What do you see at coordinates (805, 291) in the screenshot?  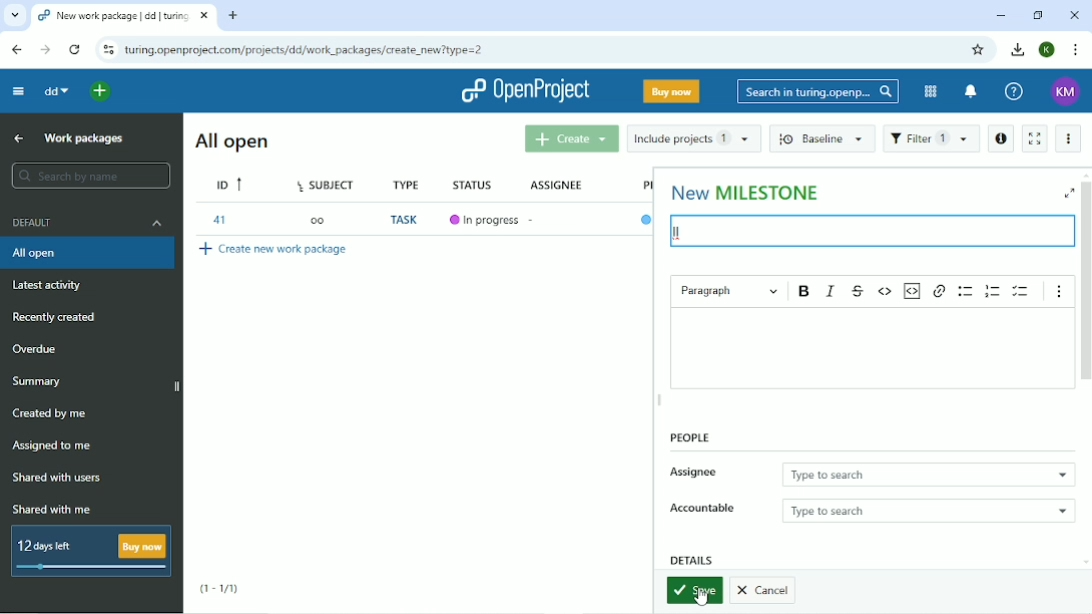 I see `Bold` at bounding box center [805, 291].